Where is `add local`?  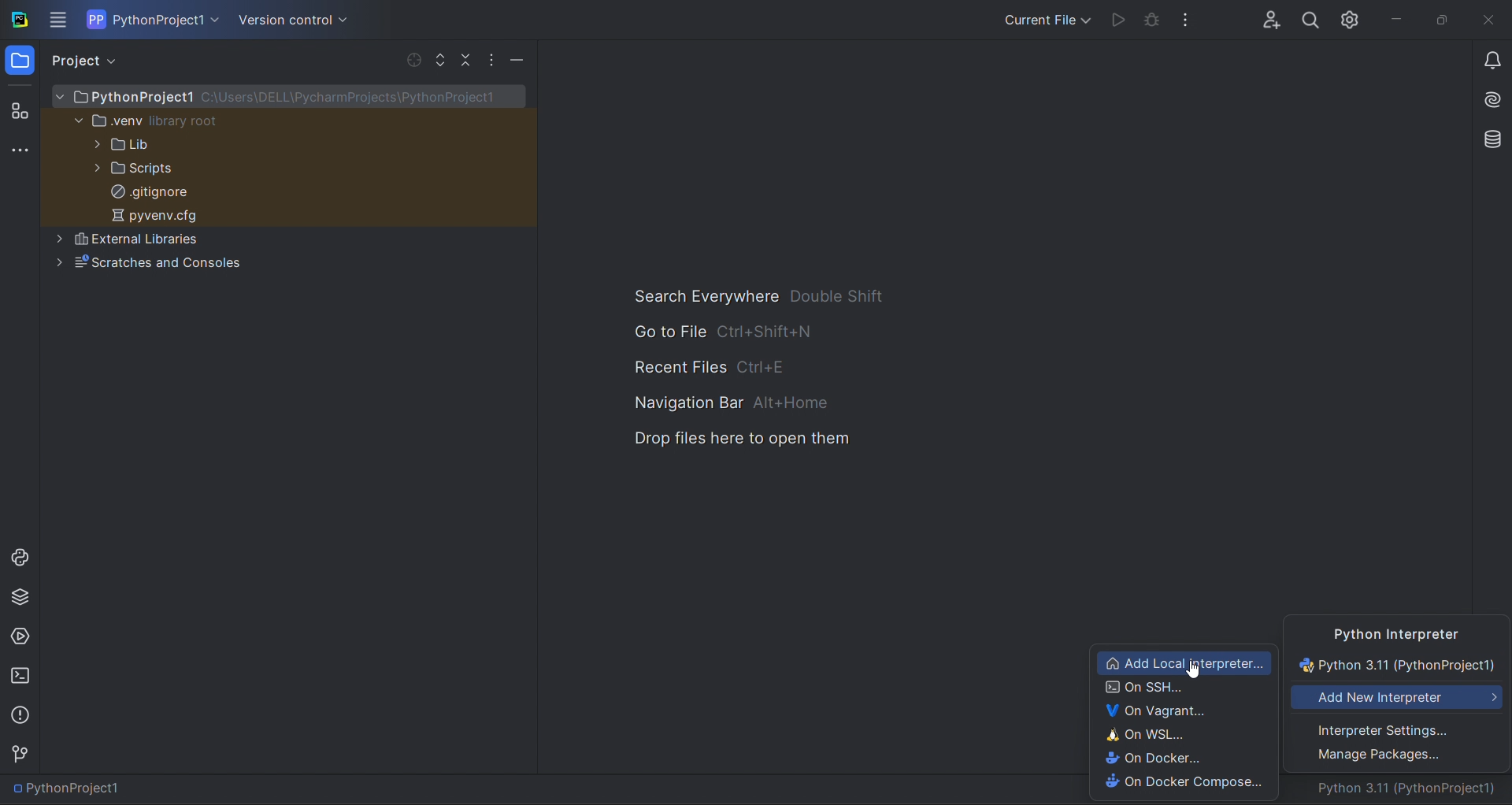
add local is located at coordinates (1182, 660).